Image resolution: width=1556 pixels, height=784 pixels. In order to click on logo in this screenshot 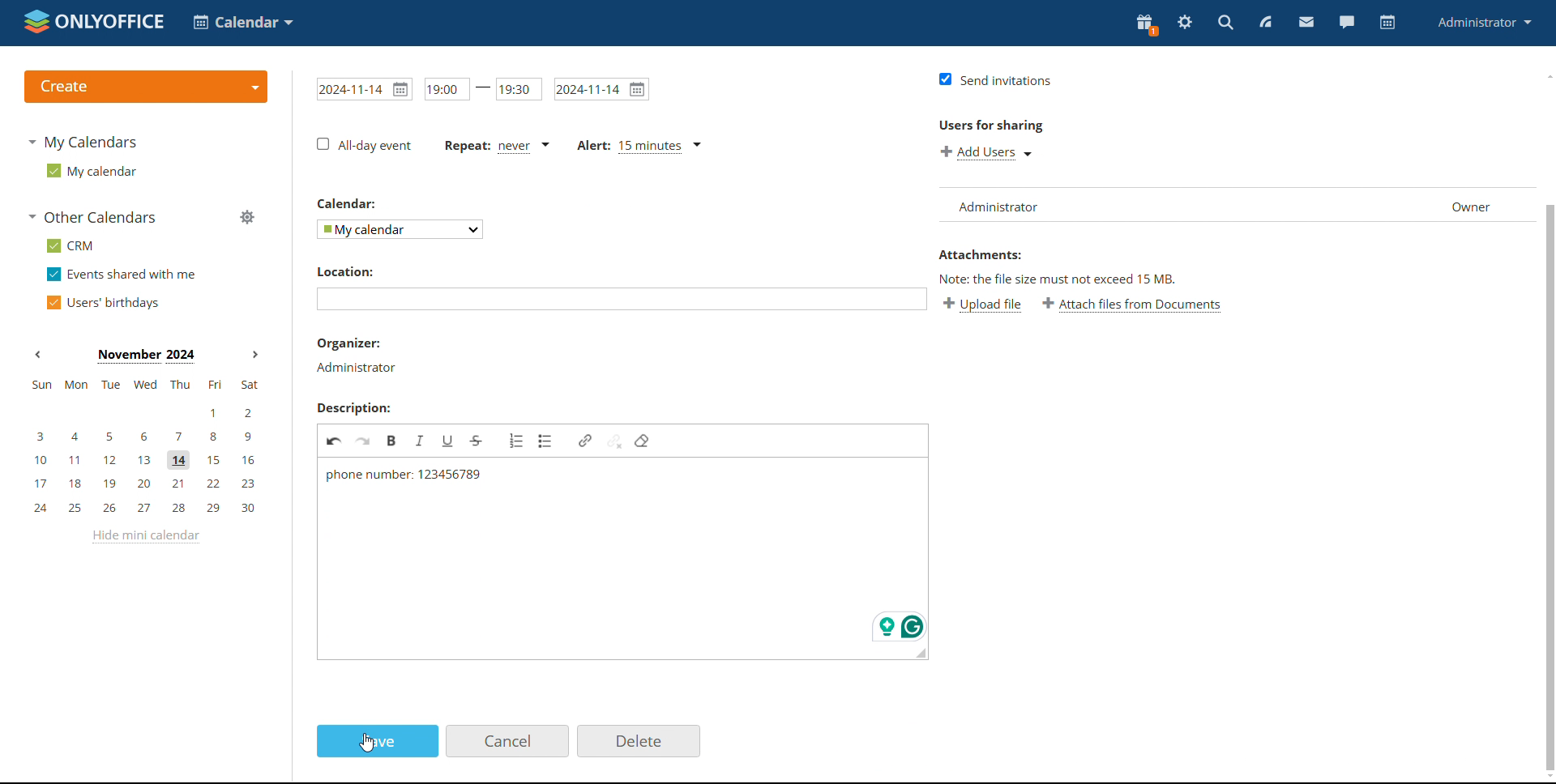, I will do `click(144, 86)`.